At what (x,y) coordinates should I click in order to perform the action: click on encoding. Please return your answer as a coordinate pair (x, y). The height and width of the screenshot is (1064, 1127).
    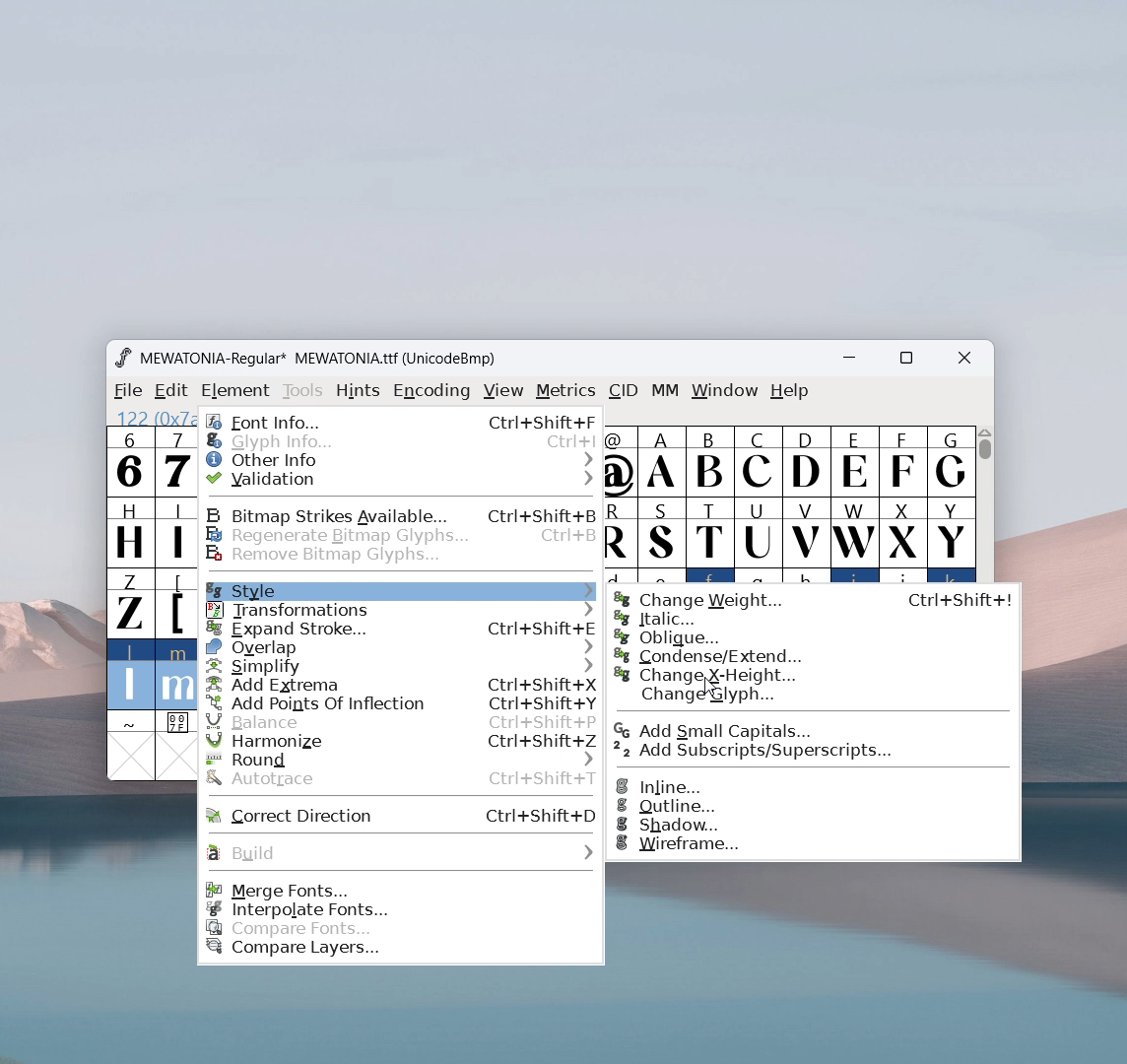
    Looking at the image, I should click on (431, 389).